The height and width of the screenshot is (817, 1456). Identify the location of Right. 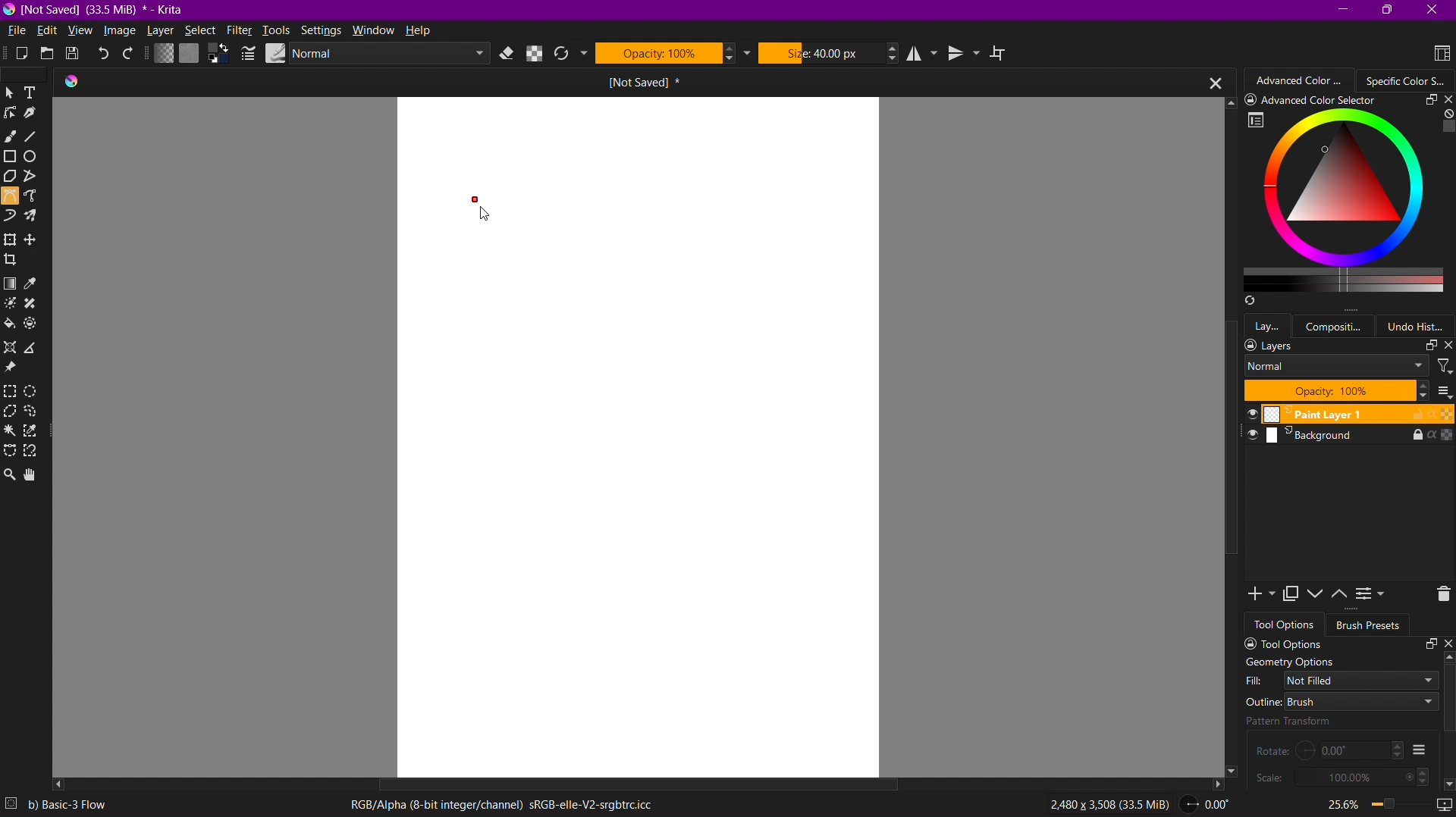
(1216, 783).